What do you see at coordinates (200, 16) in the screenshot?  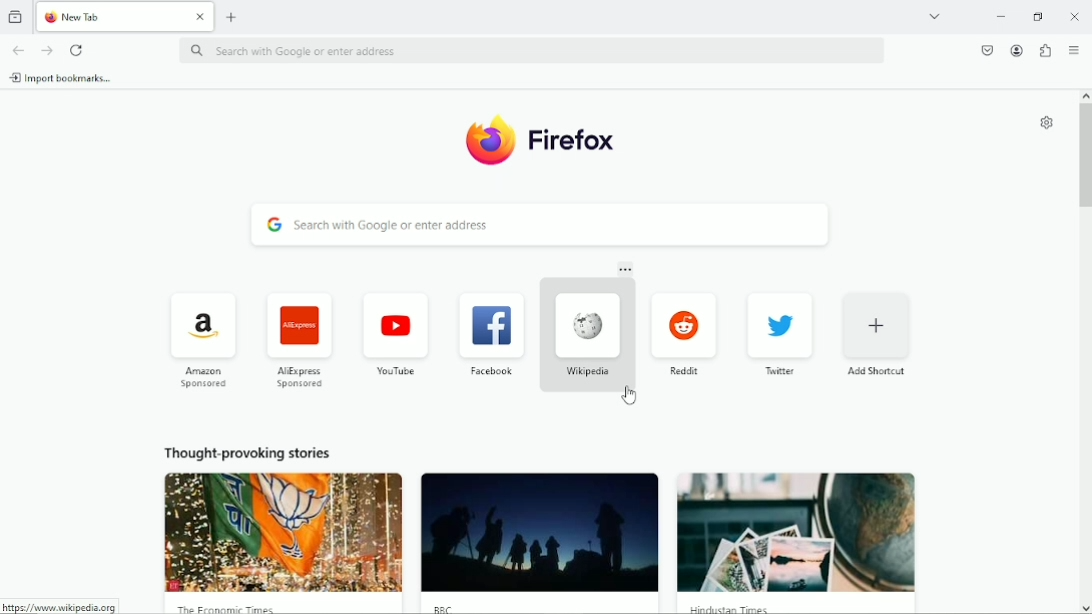 I see `close` at bounding box center [200, 16].